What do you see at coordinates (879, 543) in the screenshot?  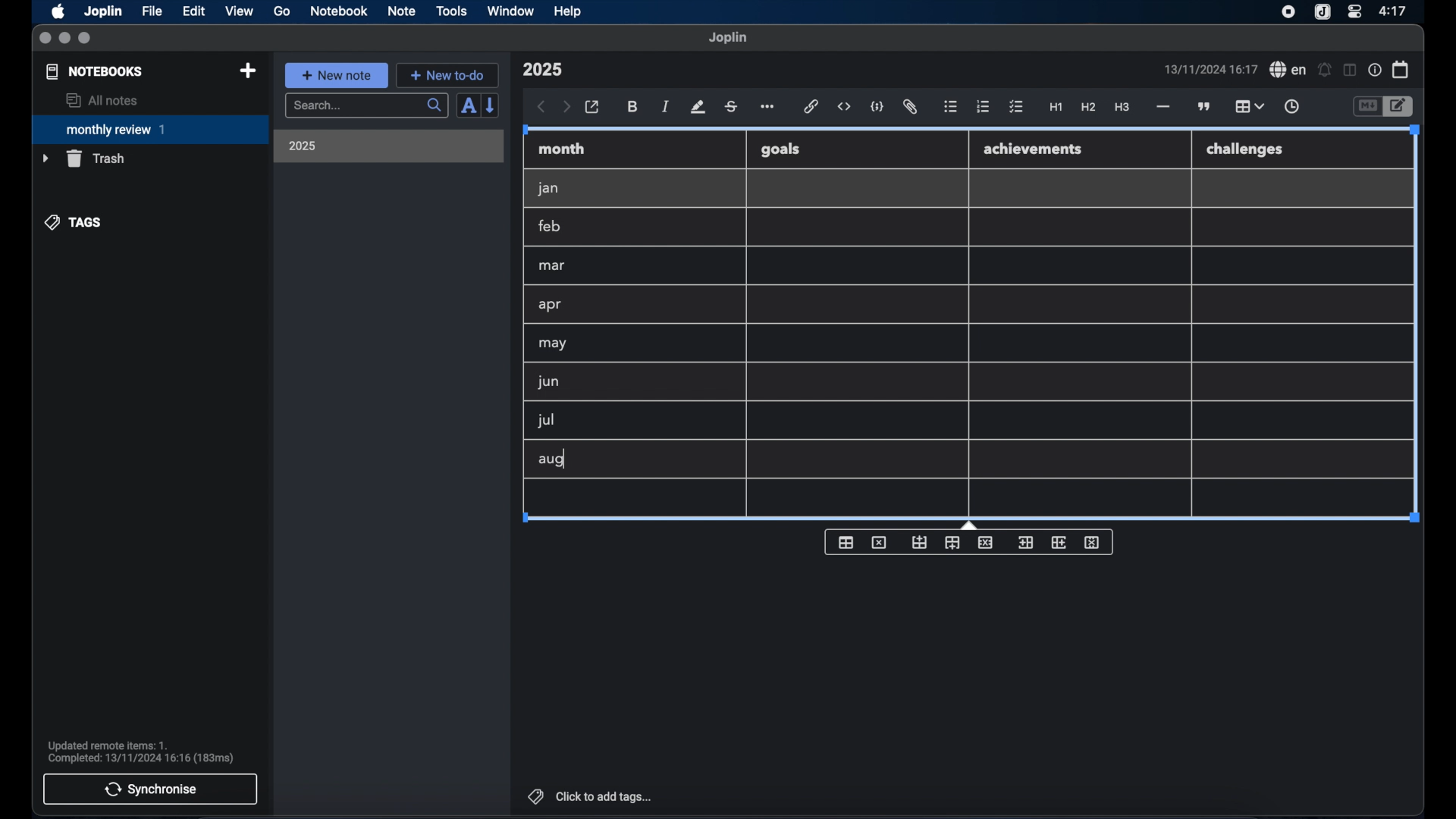 I see `delete table` at bounding box center [879, 543].